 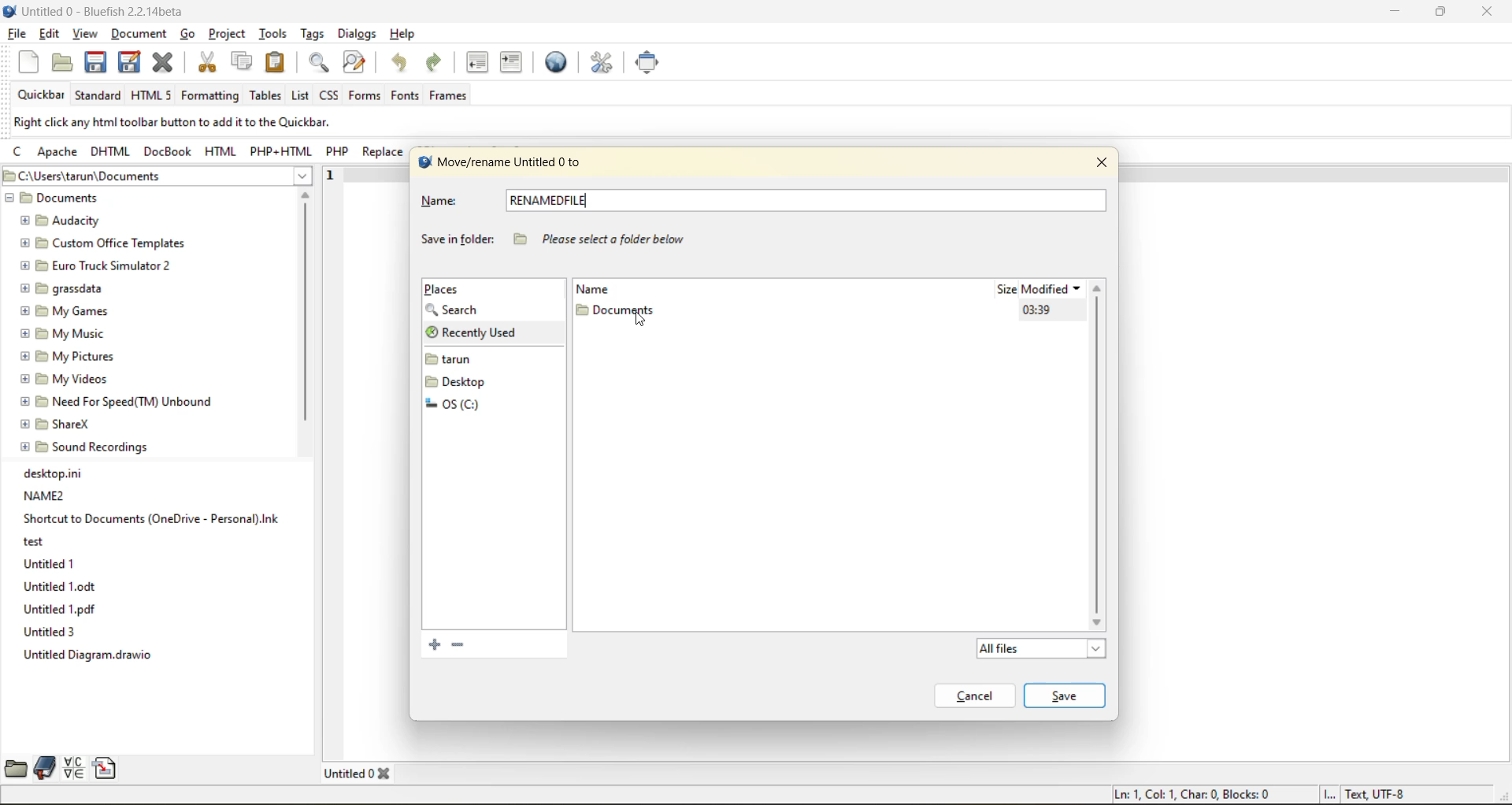 I want to click on Sound Recordings, so click(x=83, y=446).